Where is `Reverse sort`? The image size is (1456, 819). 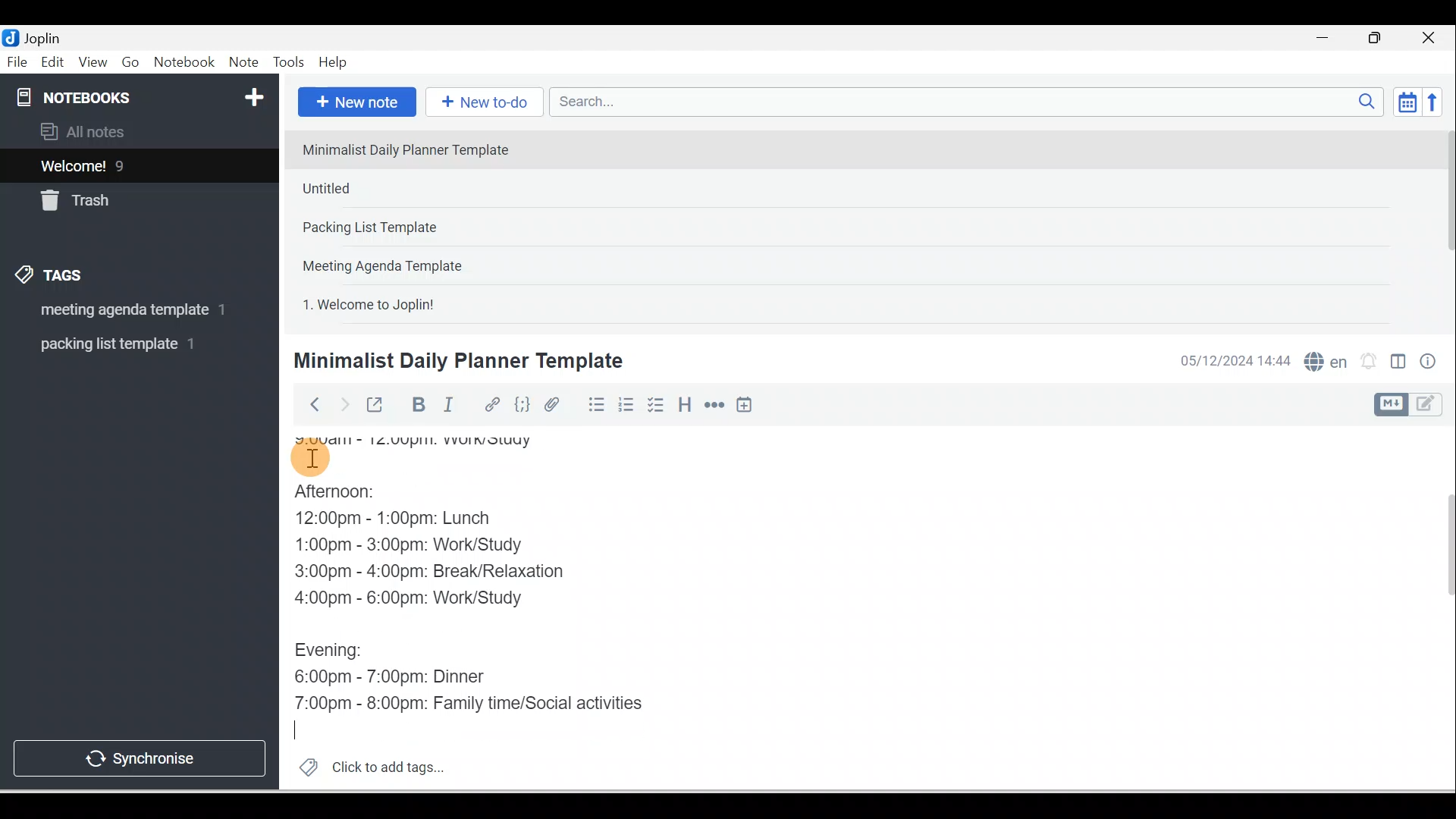
Reverse sort is located at coordinates (1437, 102).